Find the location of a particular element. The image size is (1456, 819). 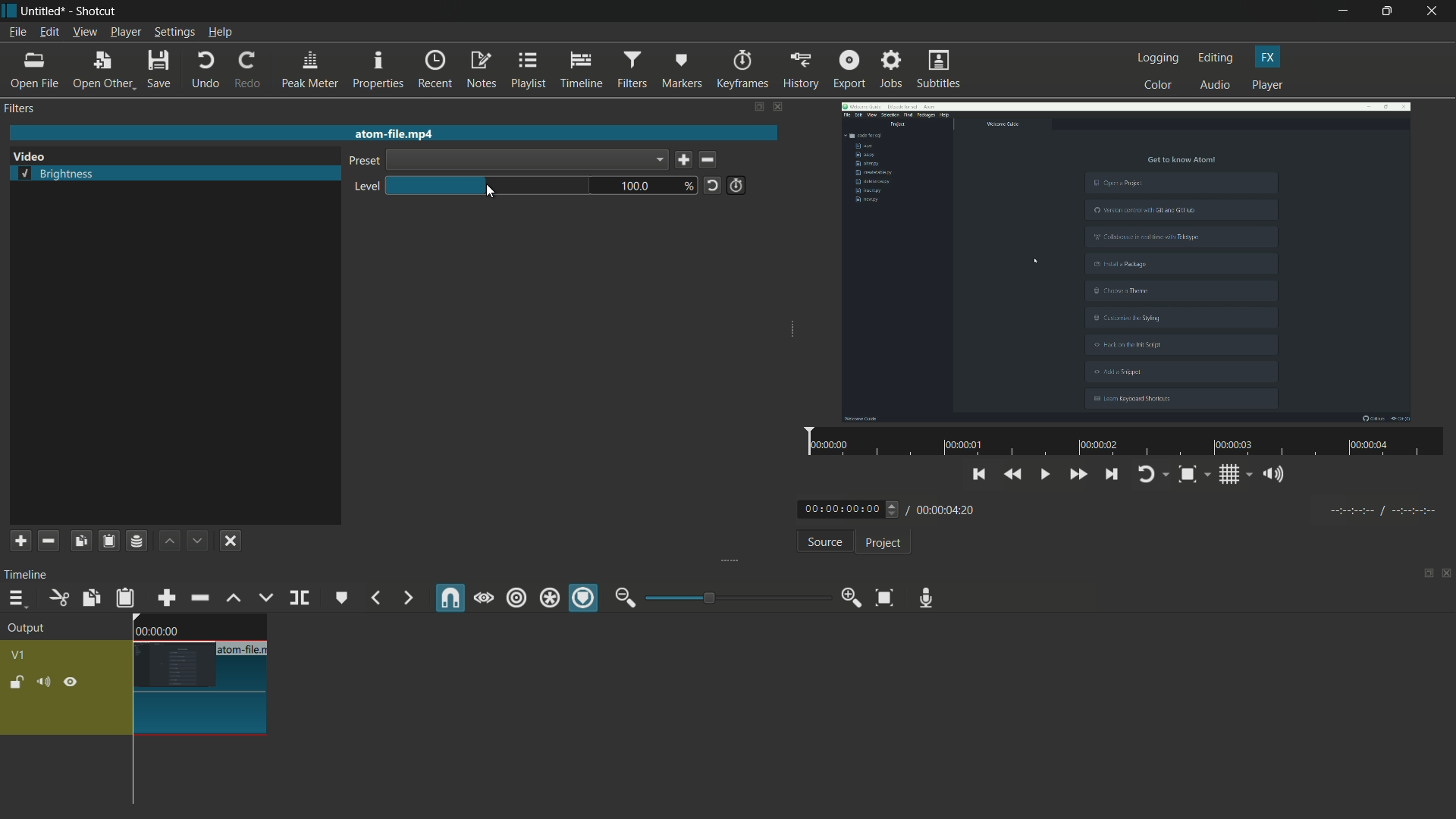

copy filters is located at coordinates (80, 541).